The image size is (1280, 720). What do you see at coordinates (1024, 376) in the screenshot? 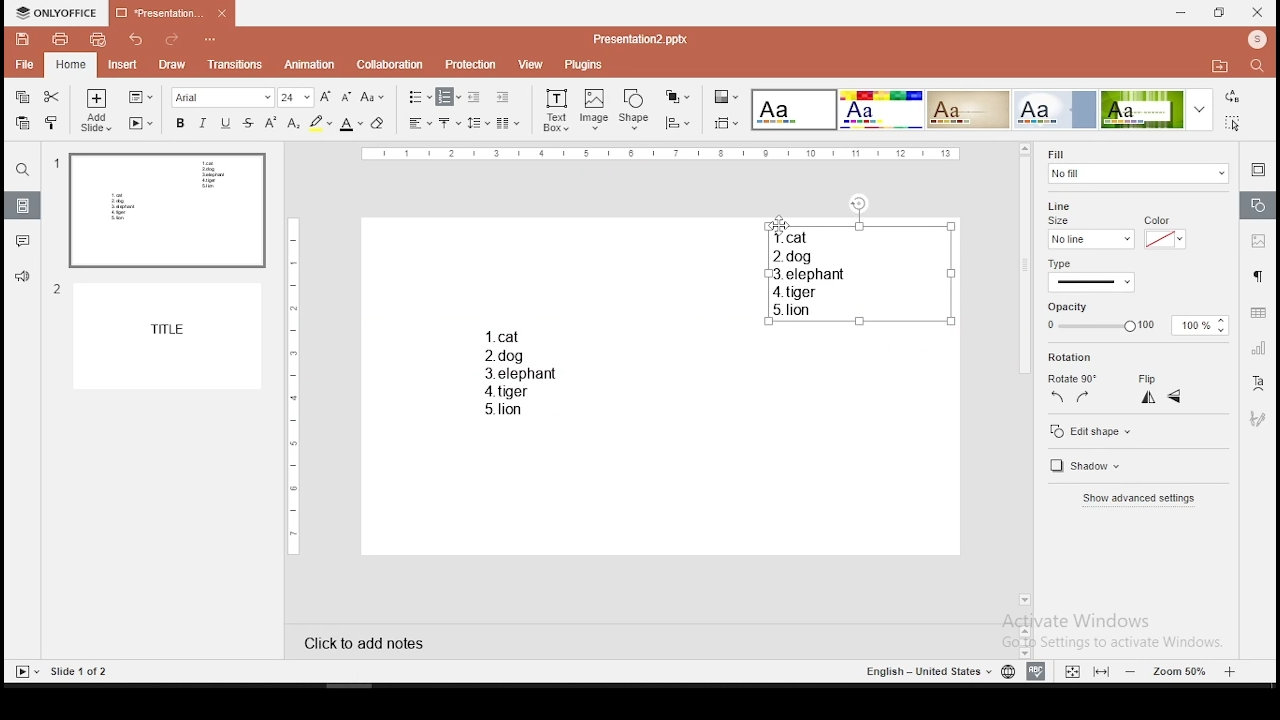
I see `scroll bar` at bounding box center [1024, 376].